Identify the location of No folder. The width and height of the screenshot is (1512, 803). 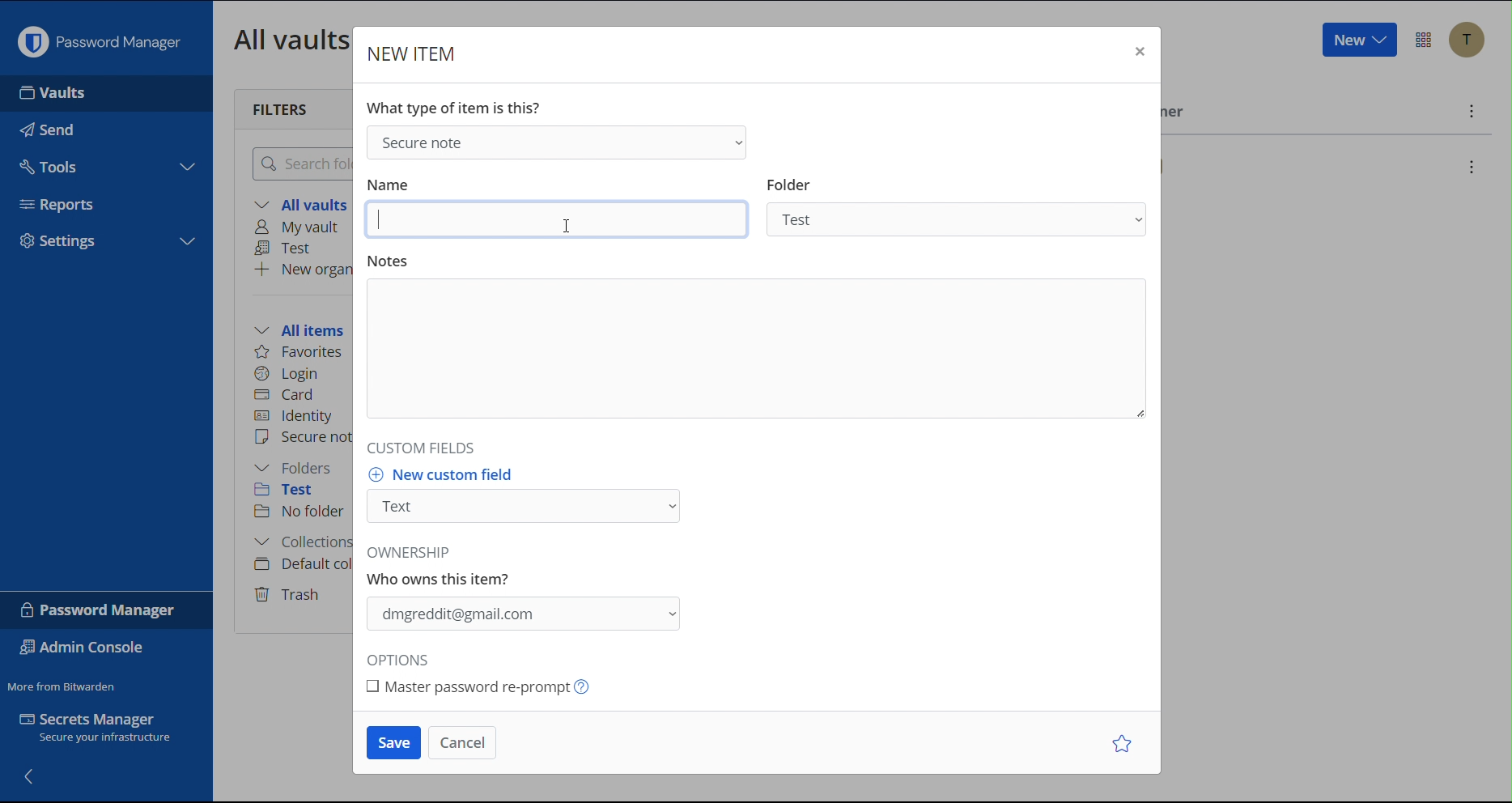
(301, 512).